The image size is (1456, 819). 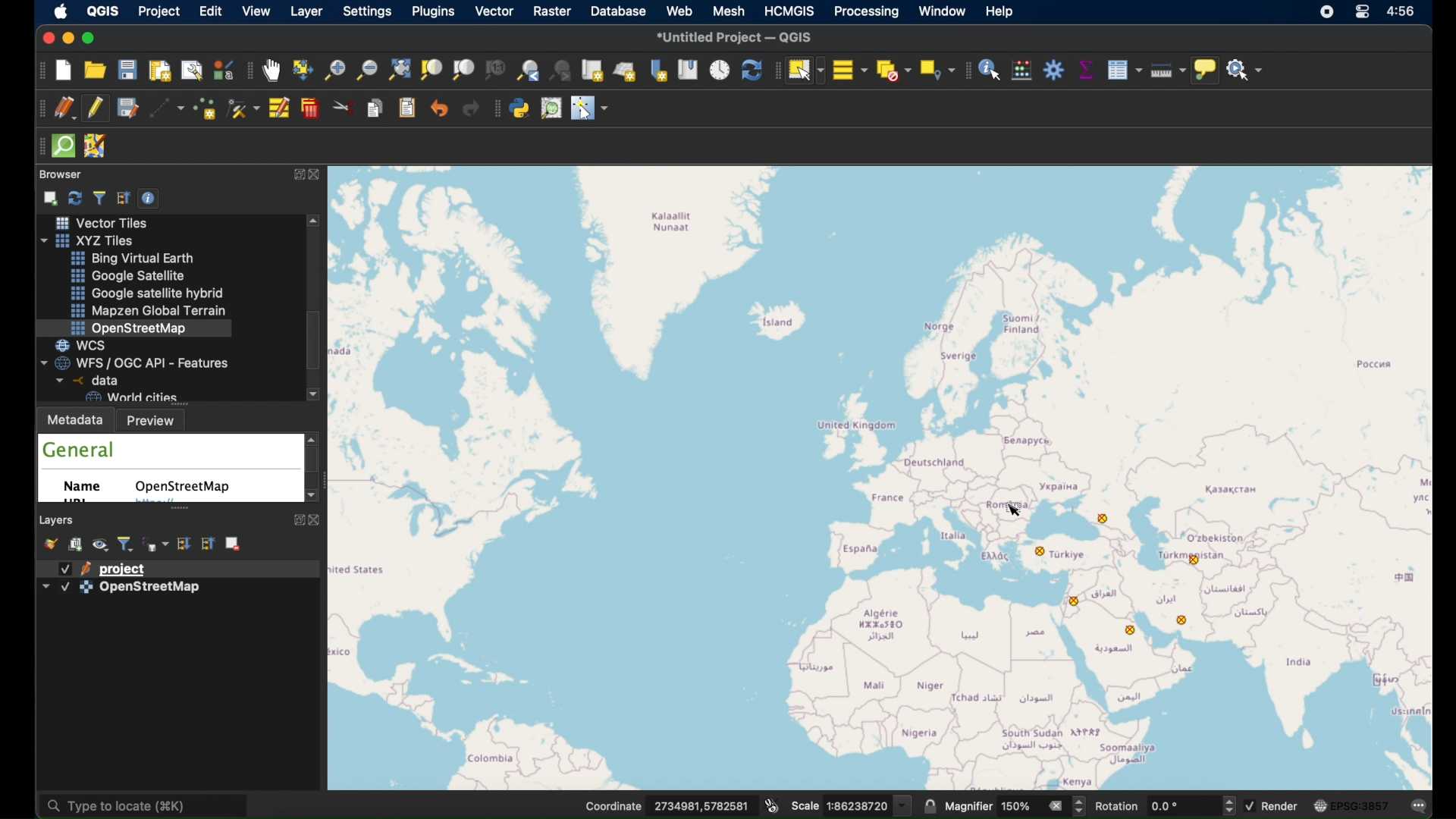 I want to click on point. feature, so click(x=1198, y=560).